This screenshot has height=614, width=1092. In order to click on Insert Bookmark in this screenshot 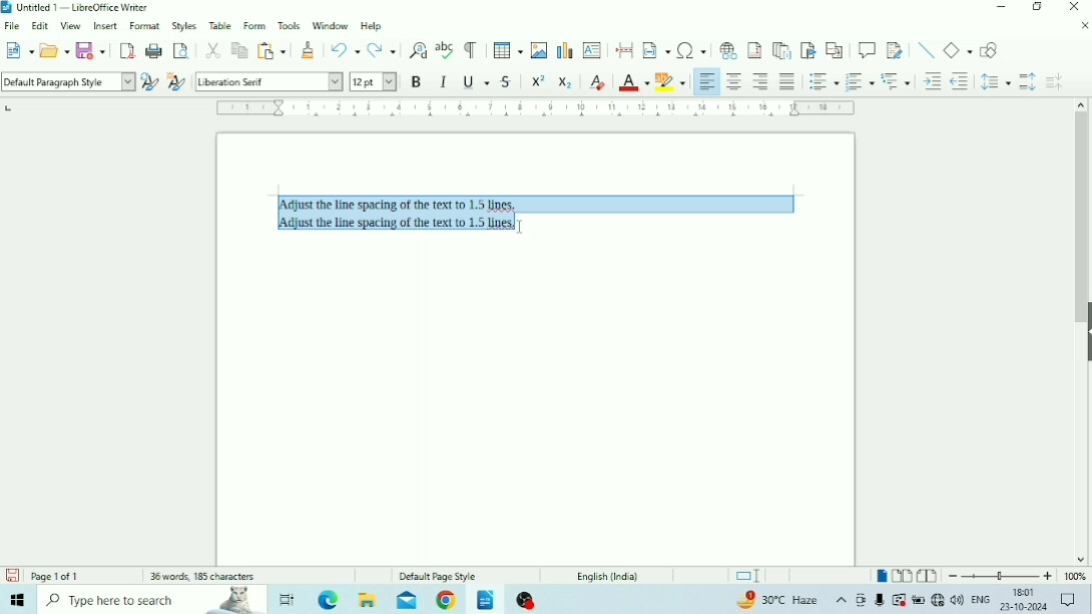, I will do `click(809, 49)`.